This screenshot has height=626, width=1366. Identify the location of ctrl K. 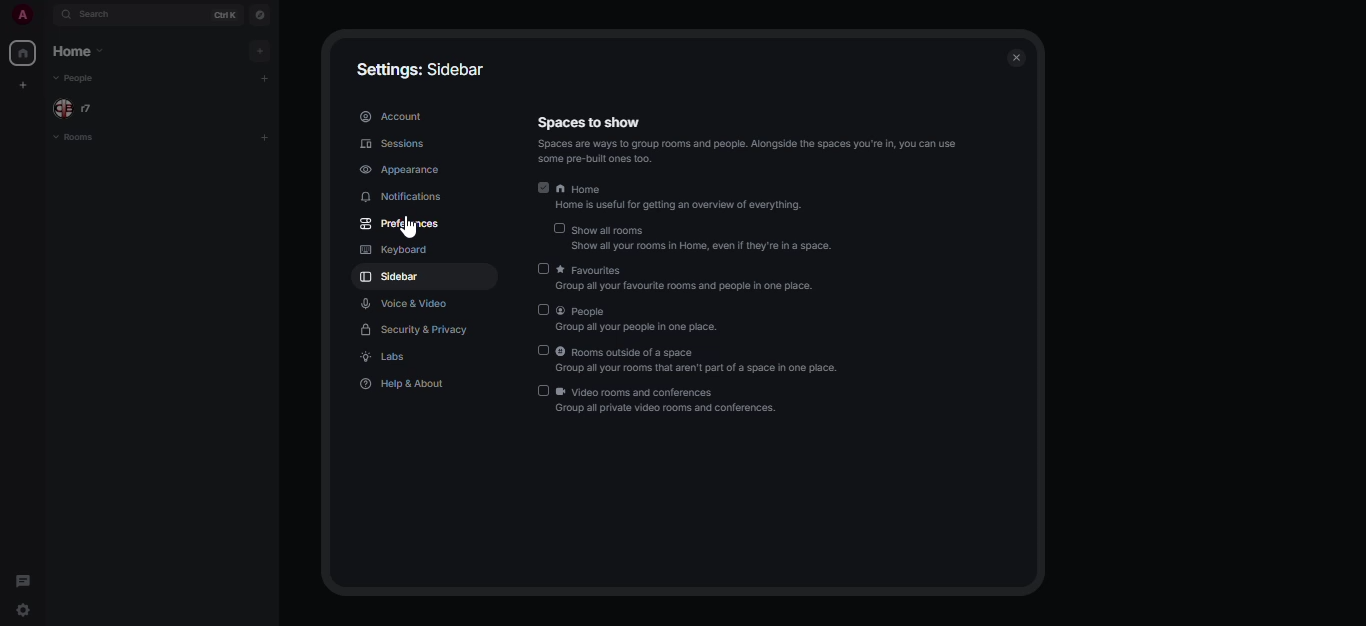
(225, 13).